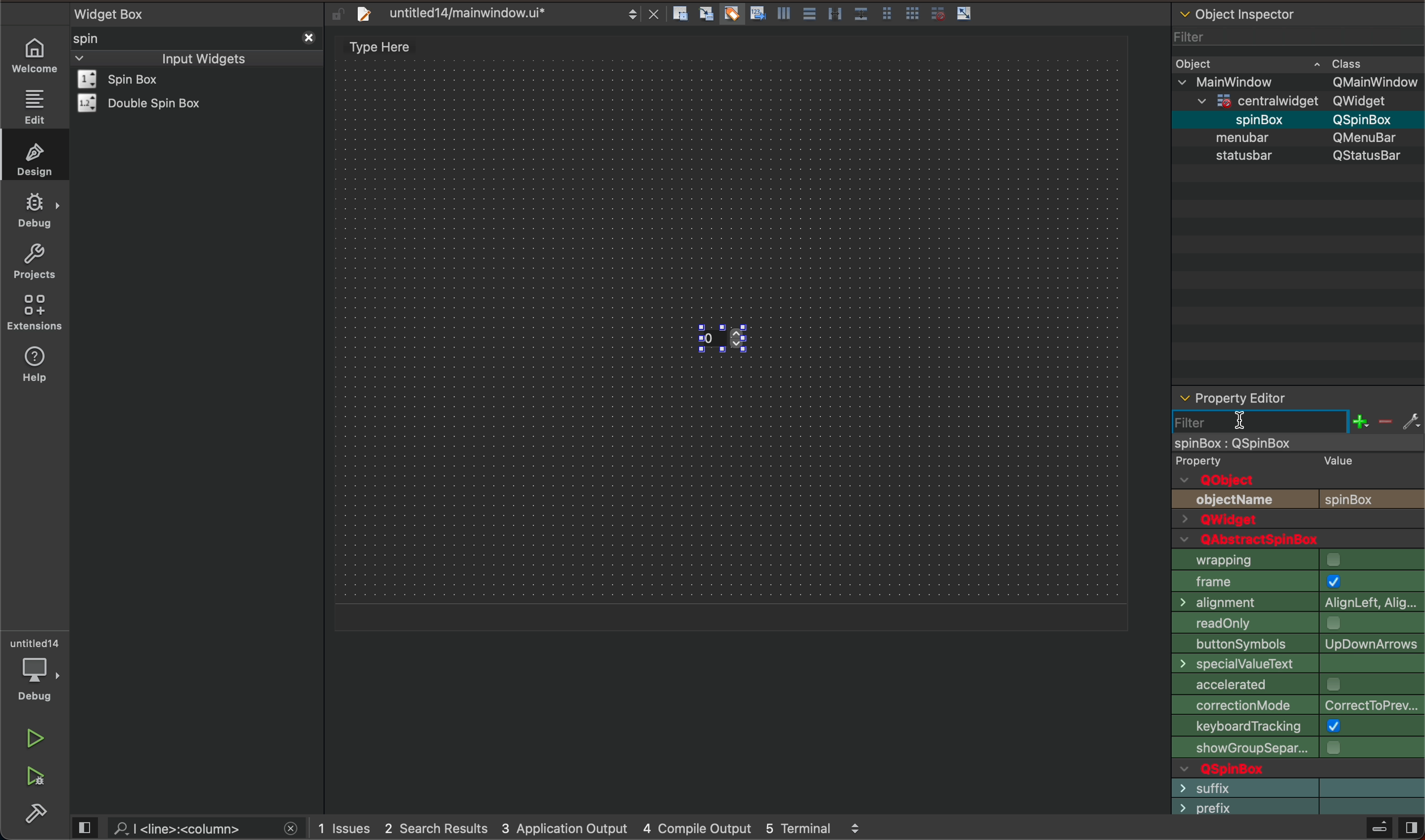  What do you see at coordinates (1253, 540) in the screenshot?
I see `text` at bounding box center [1253, 540].